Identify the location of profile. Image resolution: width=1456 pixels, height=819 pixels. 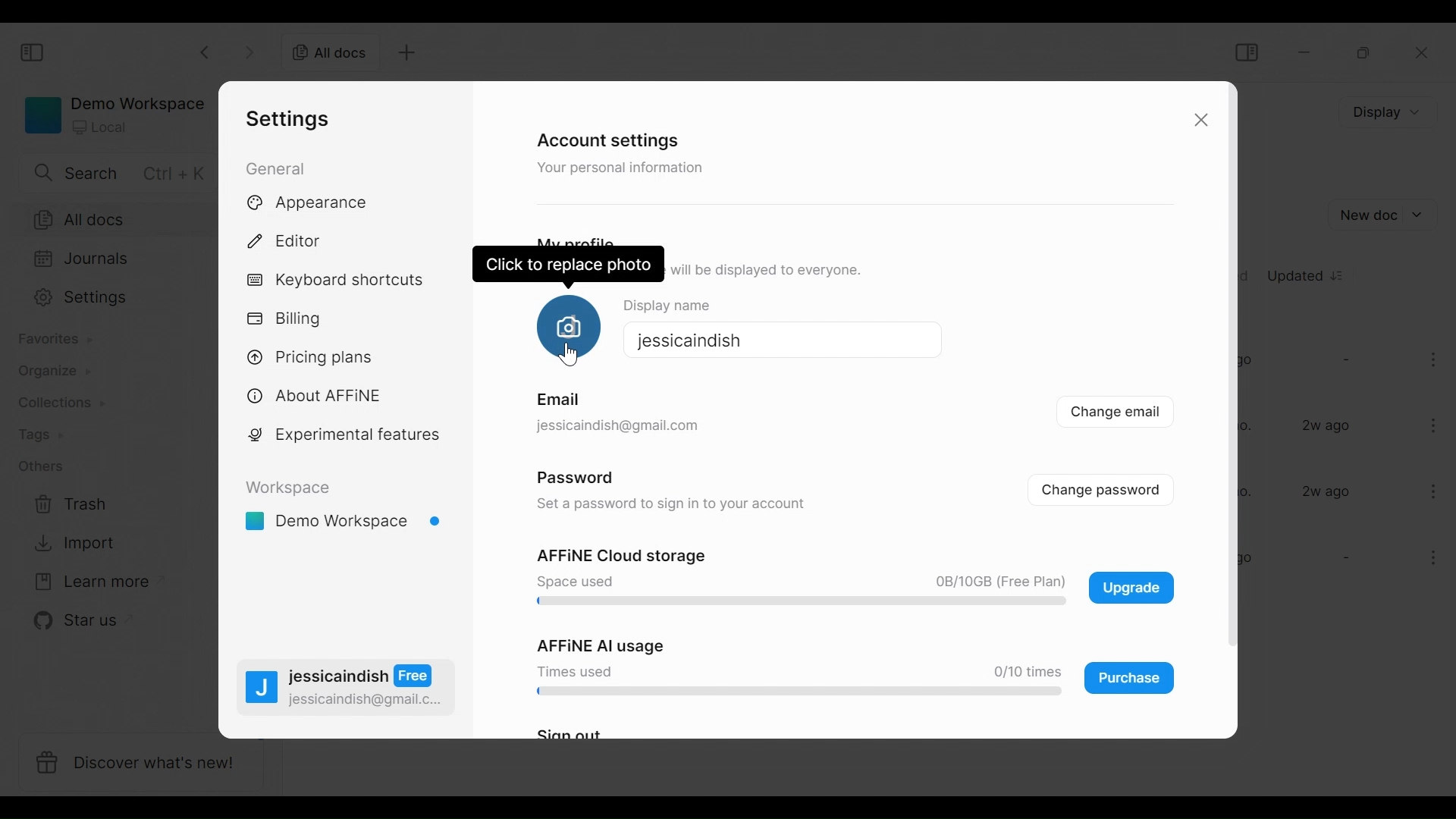
(262, 690).